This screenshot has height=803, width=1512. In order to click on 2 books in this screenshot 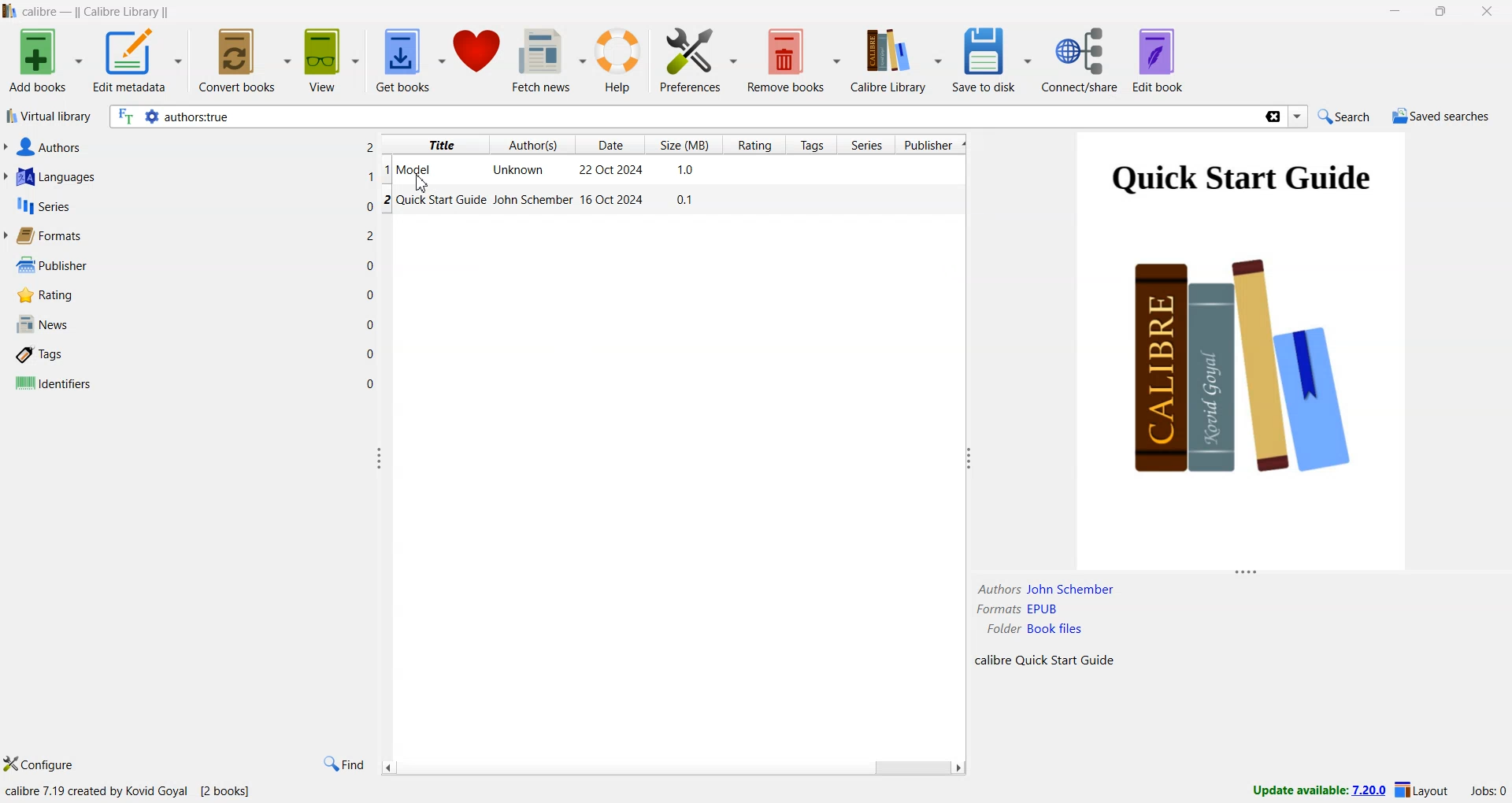, I will do `click(228, 794)`.